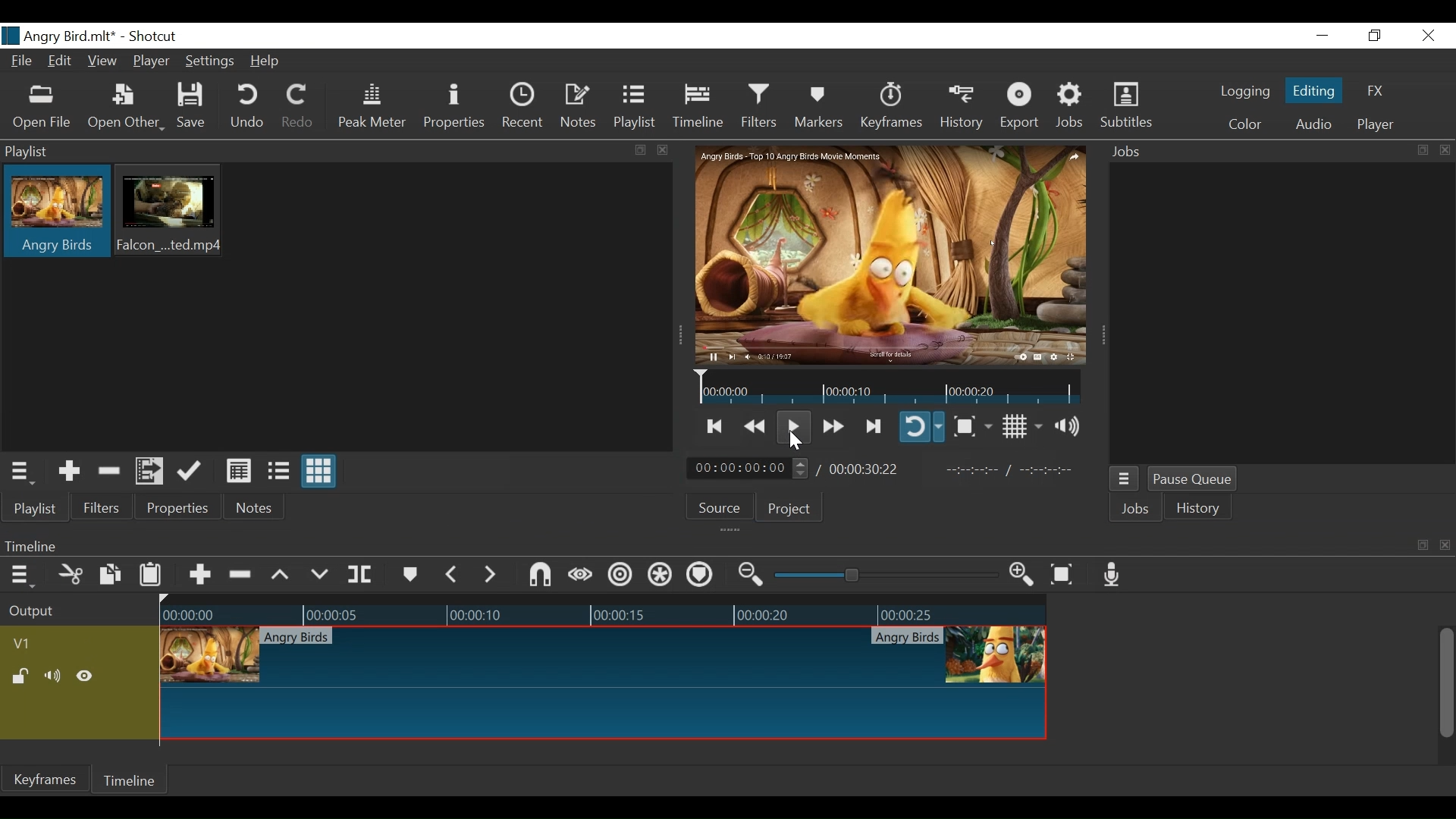  What do you see at coordinates (757, 424) in the screenshot?
I see `Play backward quickly` at bounding box center [757, 424].